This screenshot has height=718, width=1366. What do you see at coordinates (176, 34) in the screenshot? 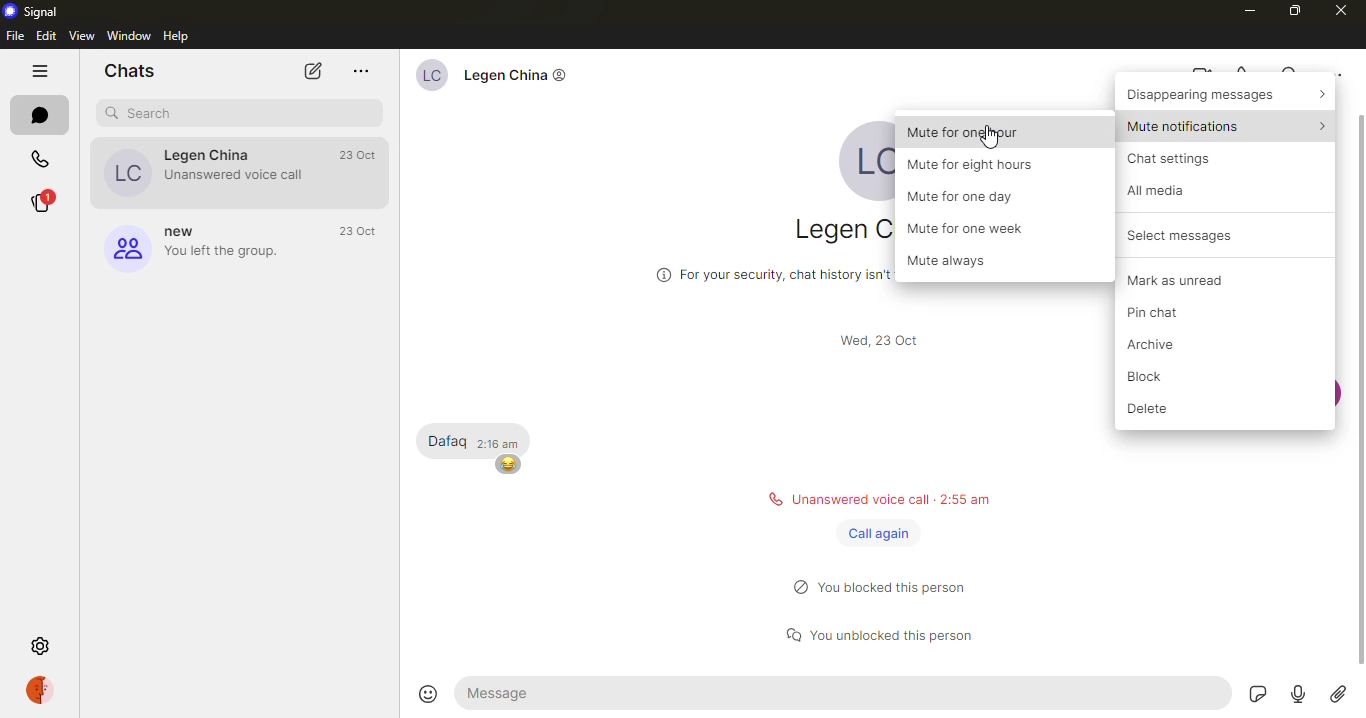
I see `help` at bounding box center [176, 34].